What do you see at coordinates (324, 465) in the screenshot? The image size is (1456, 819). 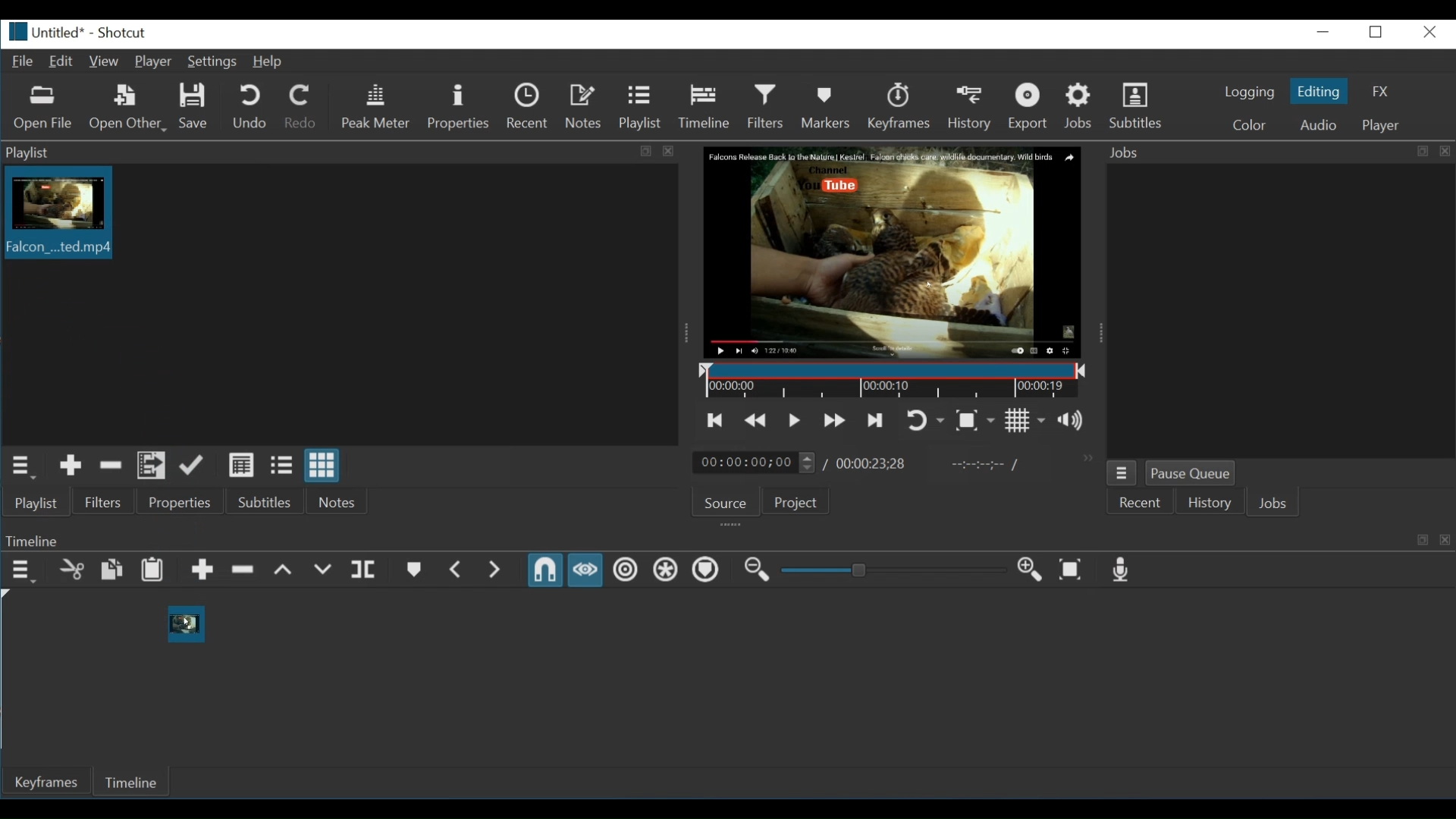 I see `View as icon` at bounding box center [324, 465].